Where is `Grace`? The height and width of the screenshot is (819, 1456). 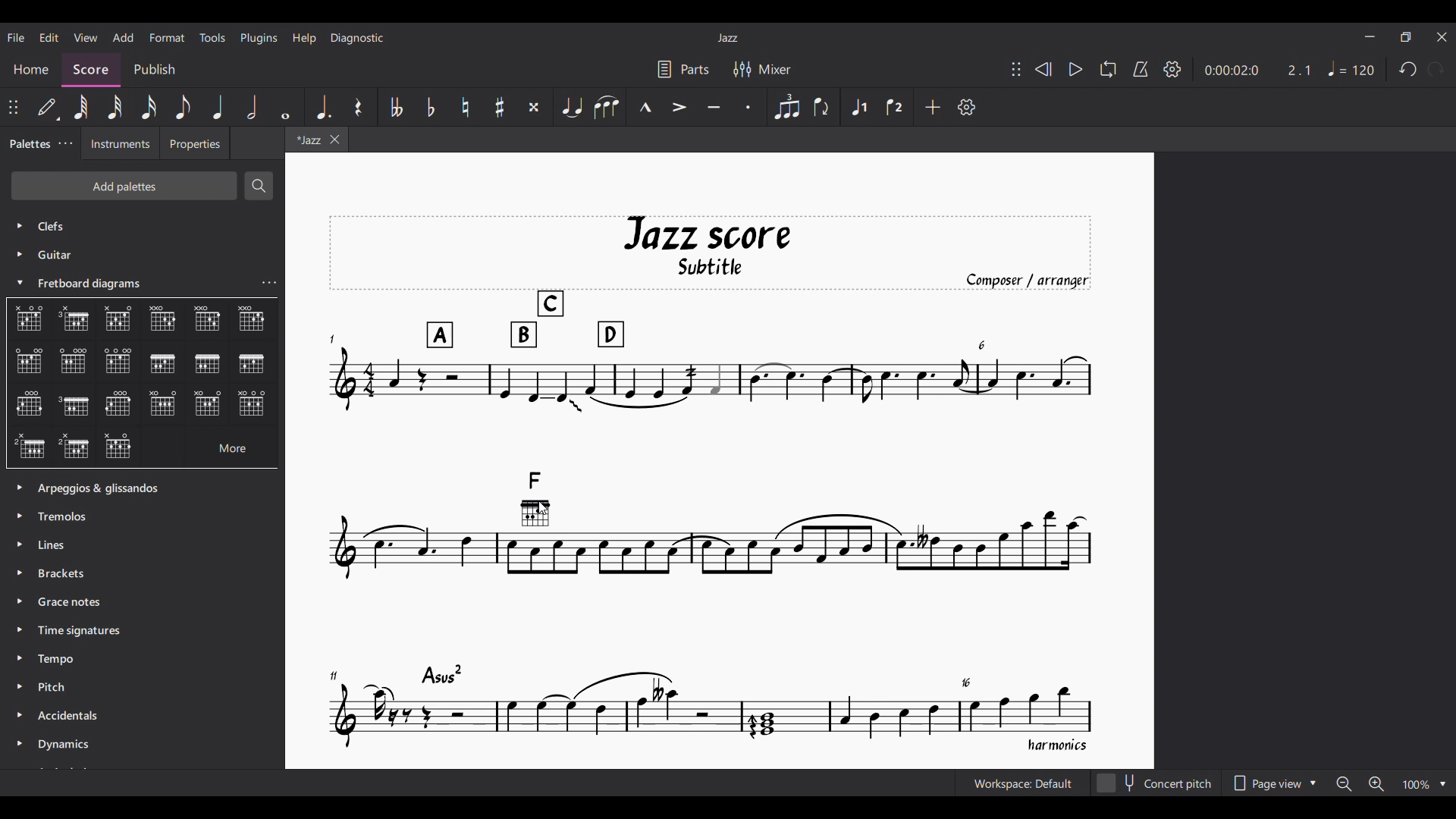
Grace is located at coordinates (72, 604).